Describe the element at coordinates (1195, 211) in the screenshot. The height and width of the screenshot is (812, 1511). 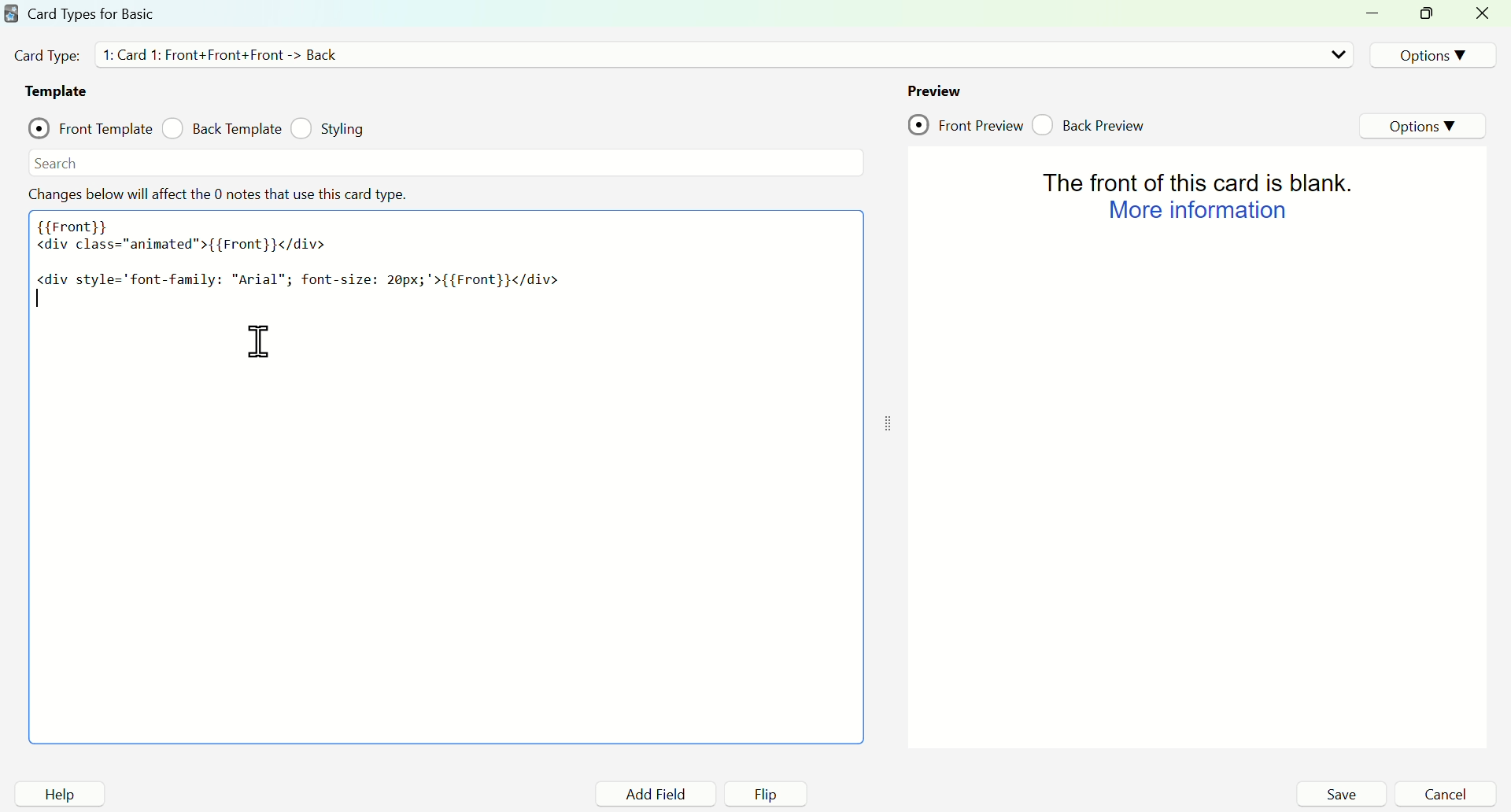
I see `More information` at that location.